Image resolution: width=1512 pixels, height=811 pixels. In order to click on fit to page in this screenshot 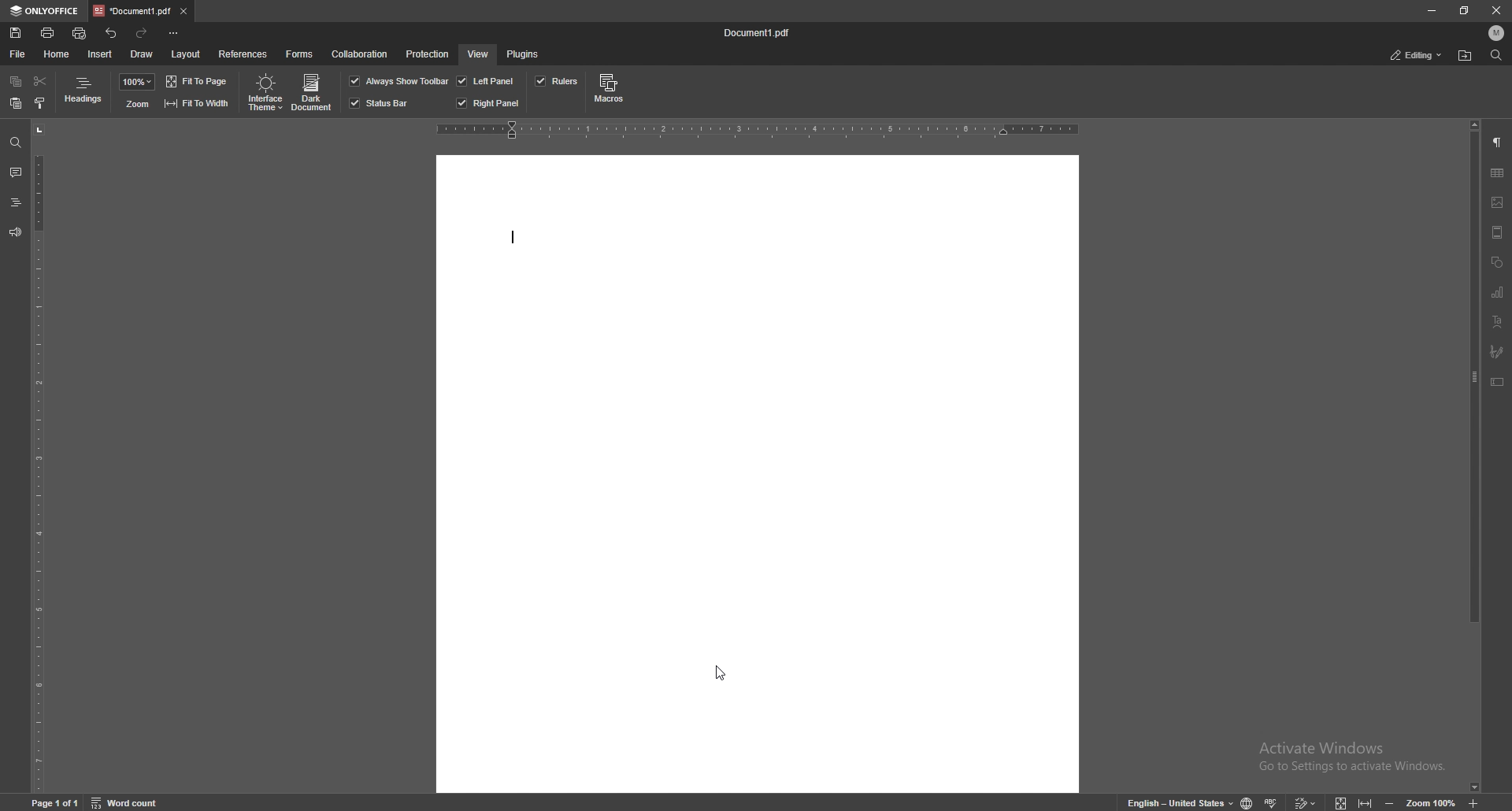, I will do `click(198, 81)`.